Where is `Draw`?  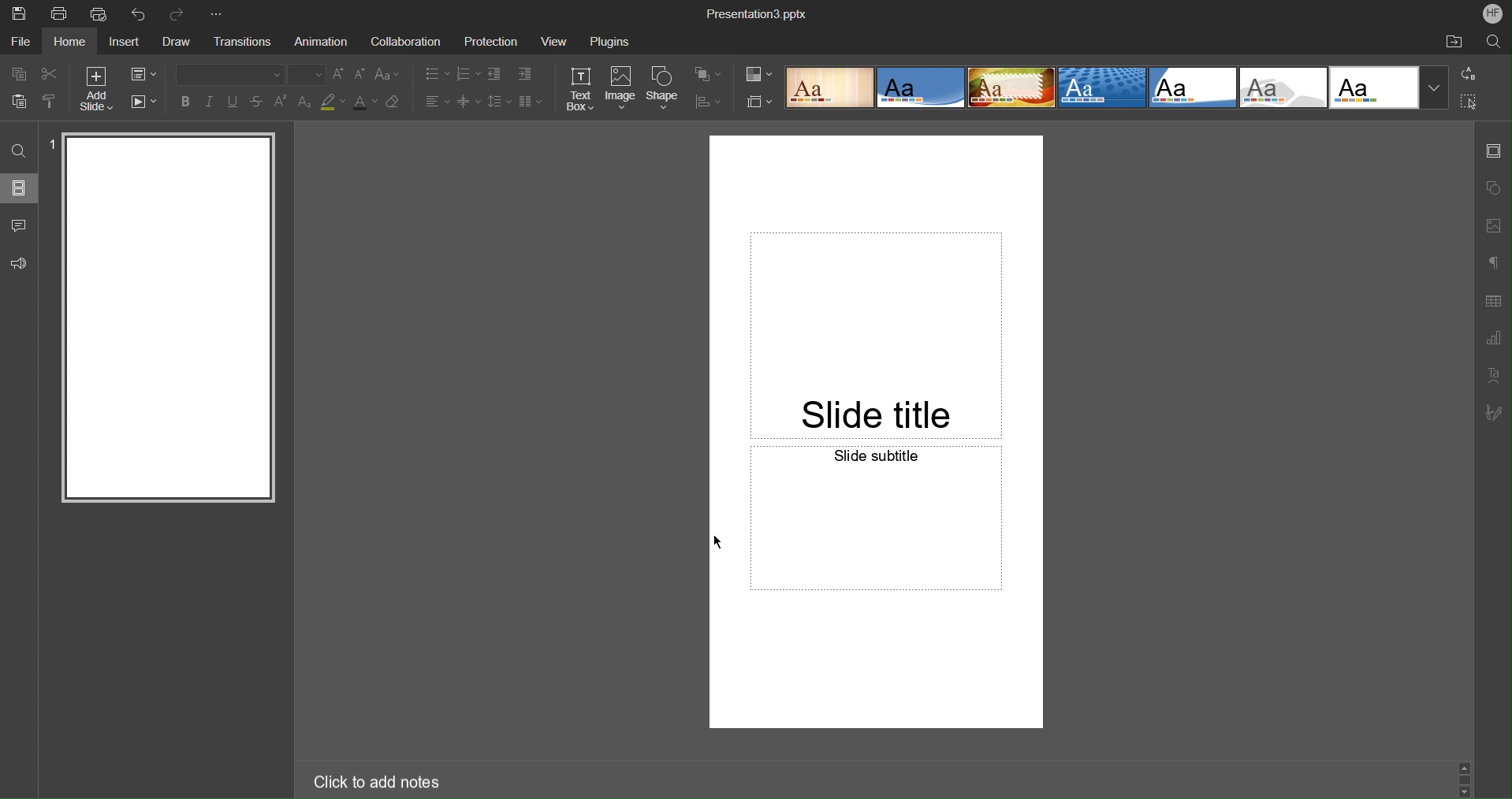
Draw is located at coordinates (177, 43).